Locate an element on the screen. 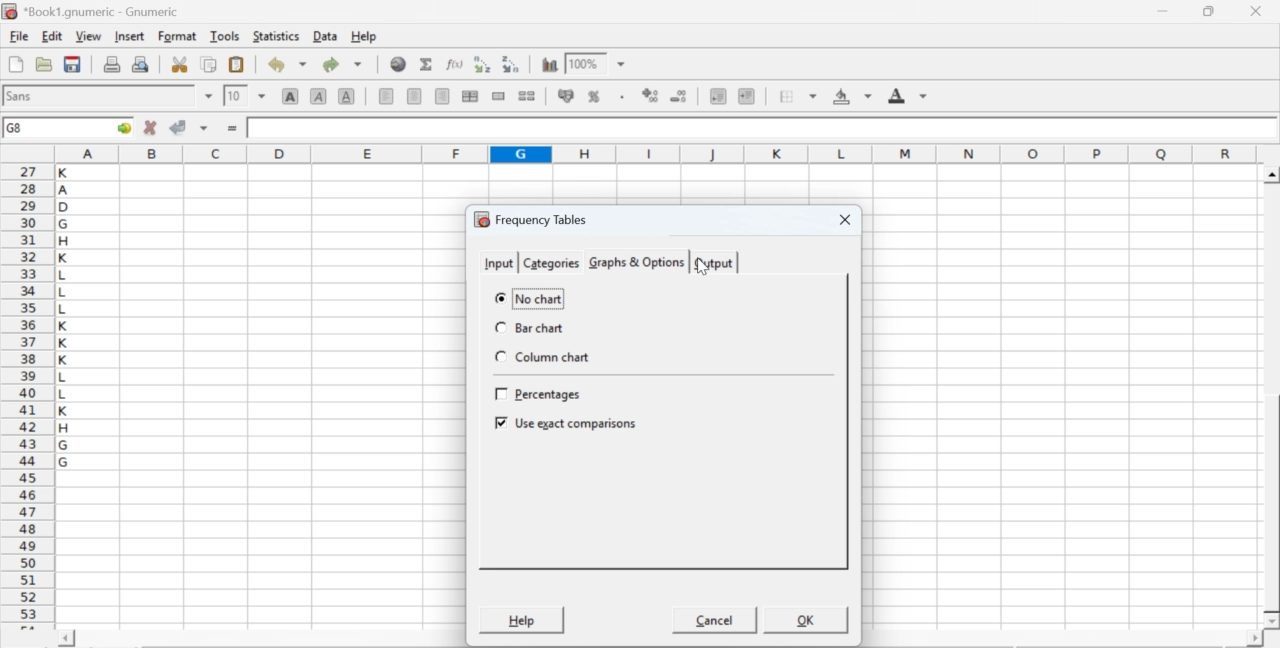 The image size is (1280, 648). edit is located at coordinates (52, 36).